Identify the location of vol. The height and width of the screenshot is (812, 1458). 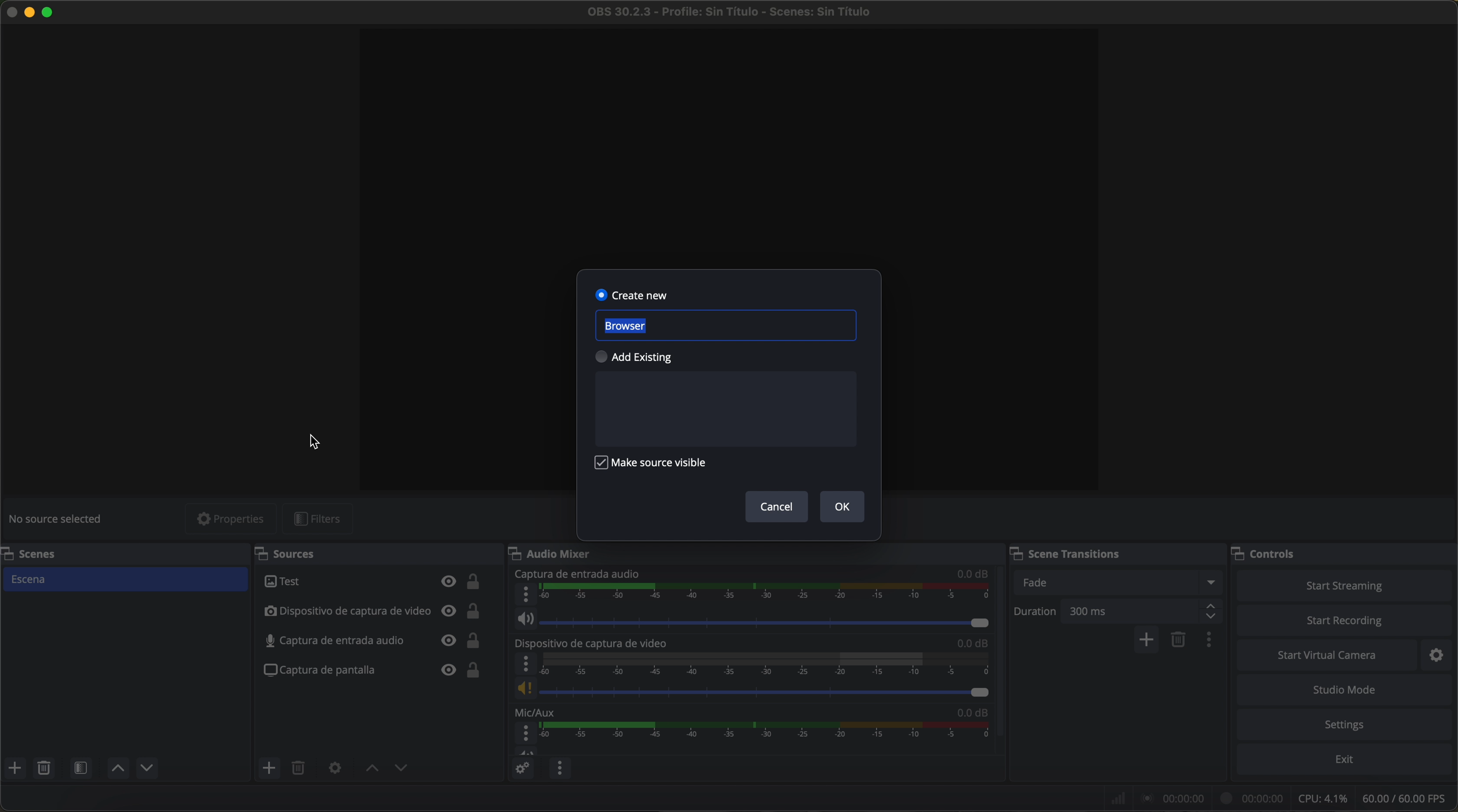
(752, 689).